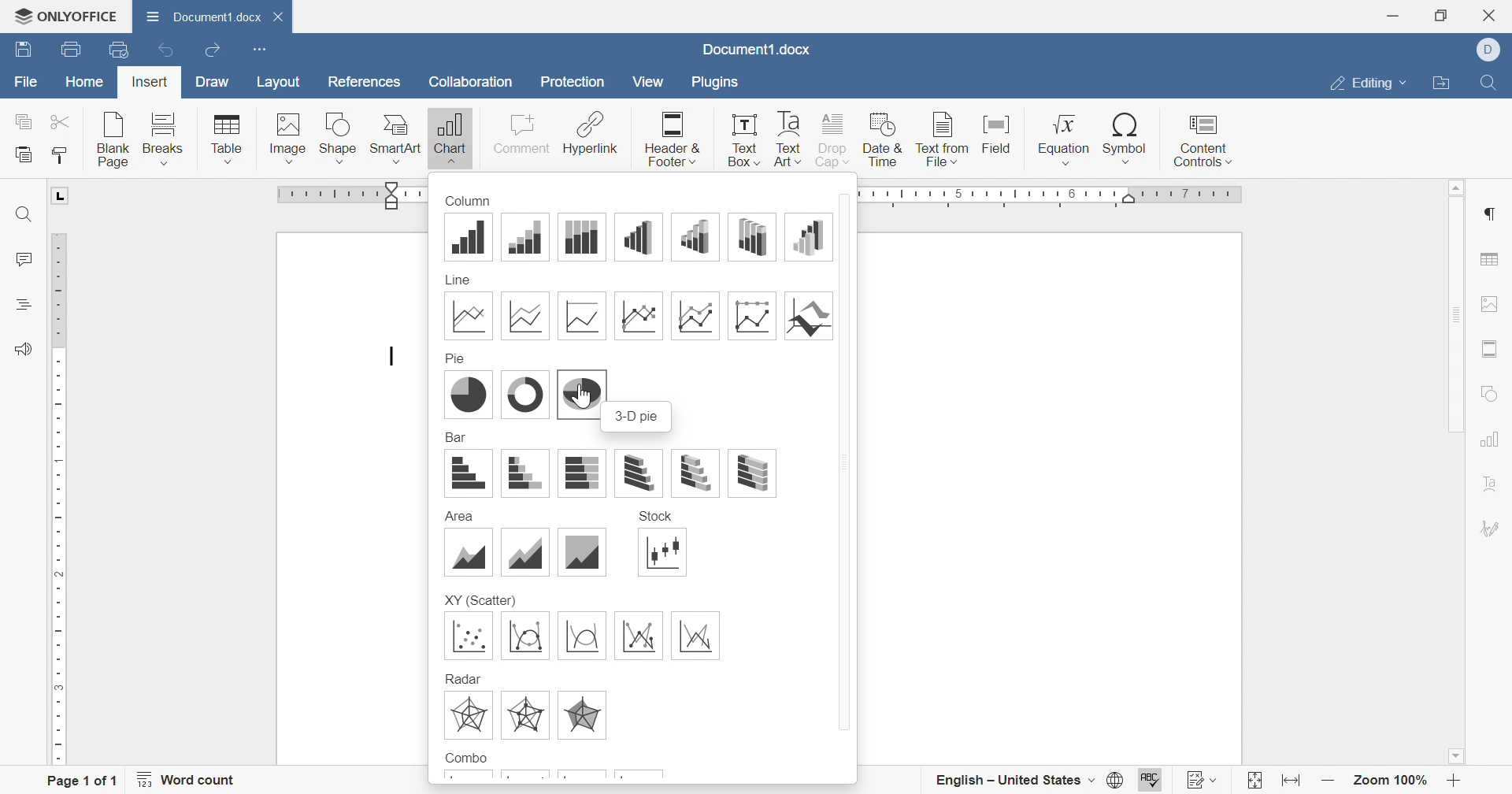  What do you see at coordinates (695, 470) in the screenshot?
I see `3D stacked bar` at bounding box center [695, 470].